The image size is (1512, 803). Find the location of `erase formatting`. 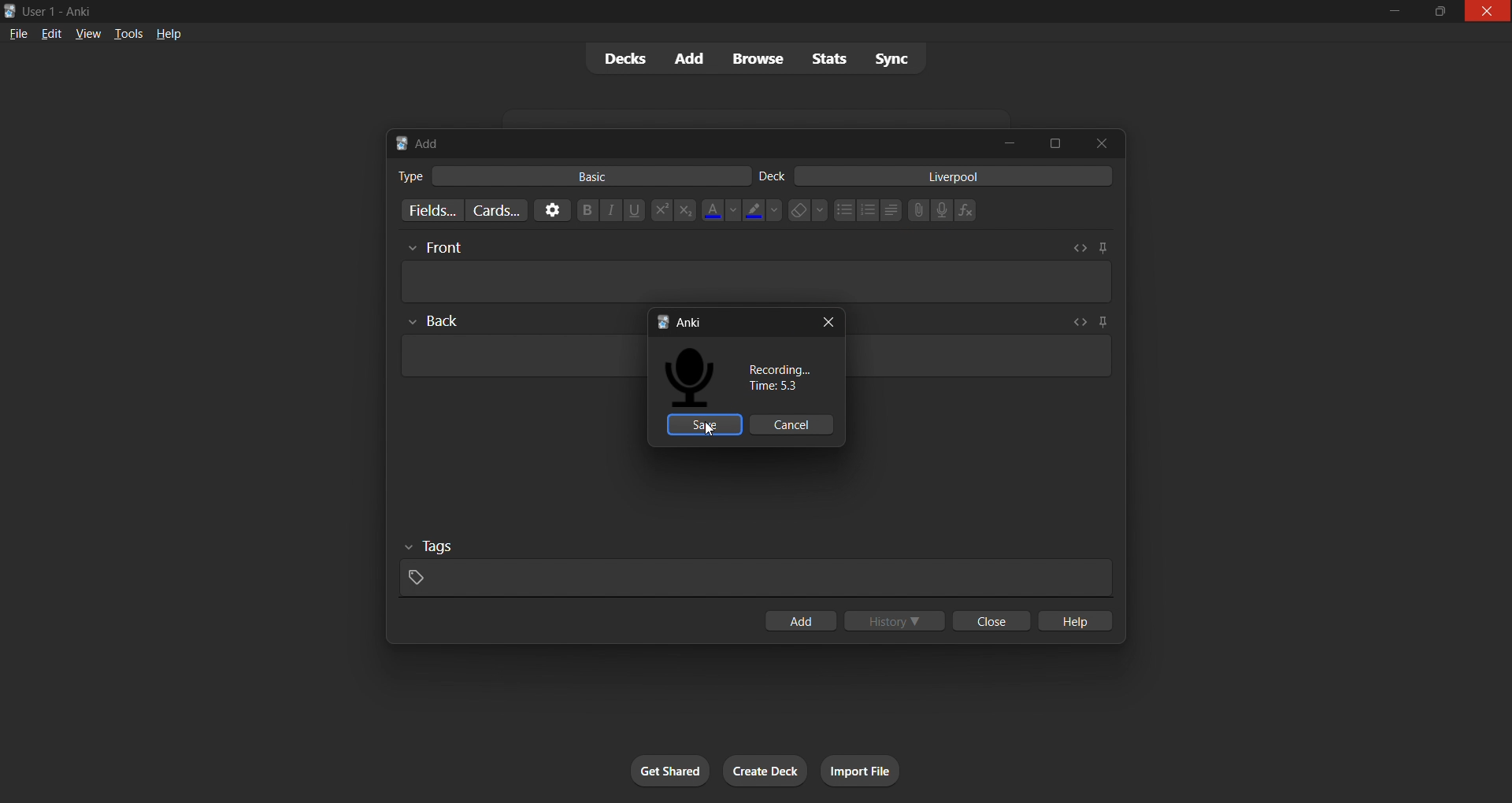

erase formatting is located at coordinates (806, 211).